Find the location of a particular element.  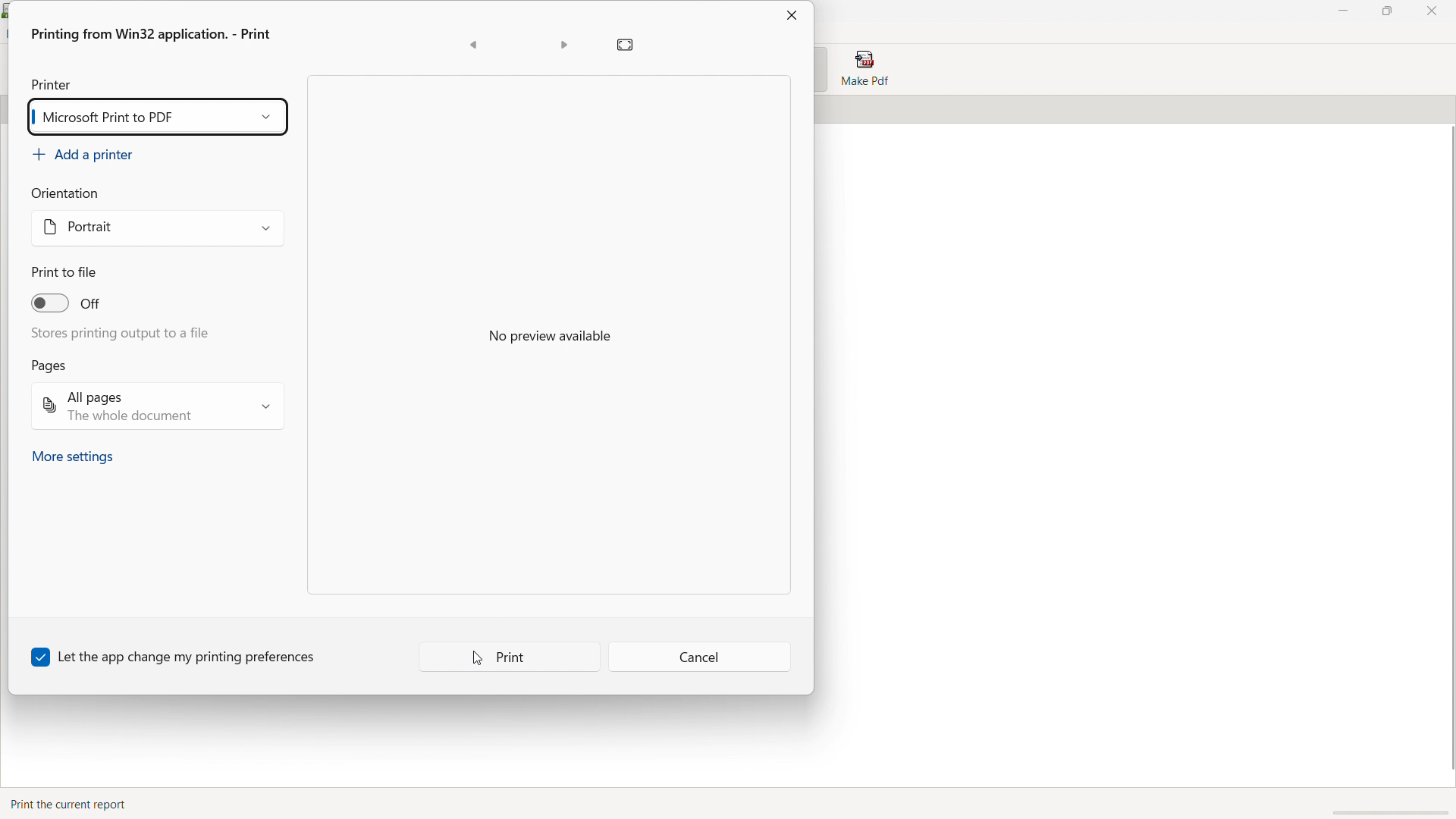

make pdf is located at coordinates (864, 69).